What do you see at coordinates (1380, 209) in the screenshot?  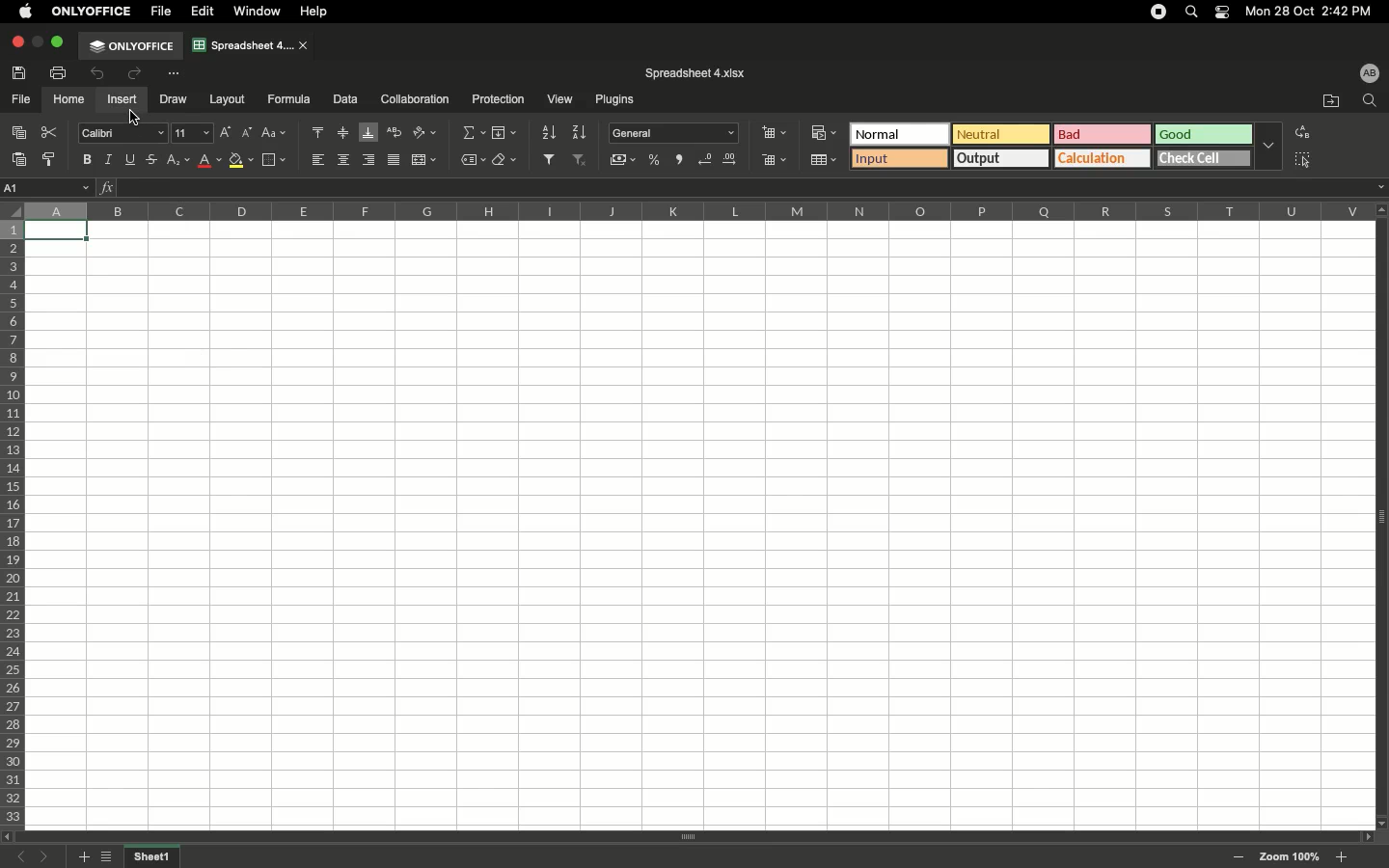 I see `scroll up` at bounding box center [1380, 209].